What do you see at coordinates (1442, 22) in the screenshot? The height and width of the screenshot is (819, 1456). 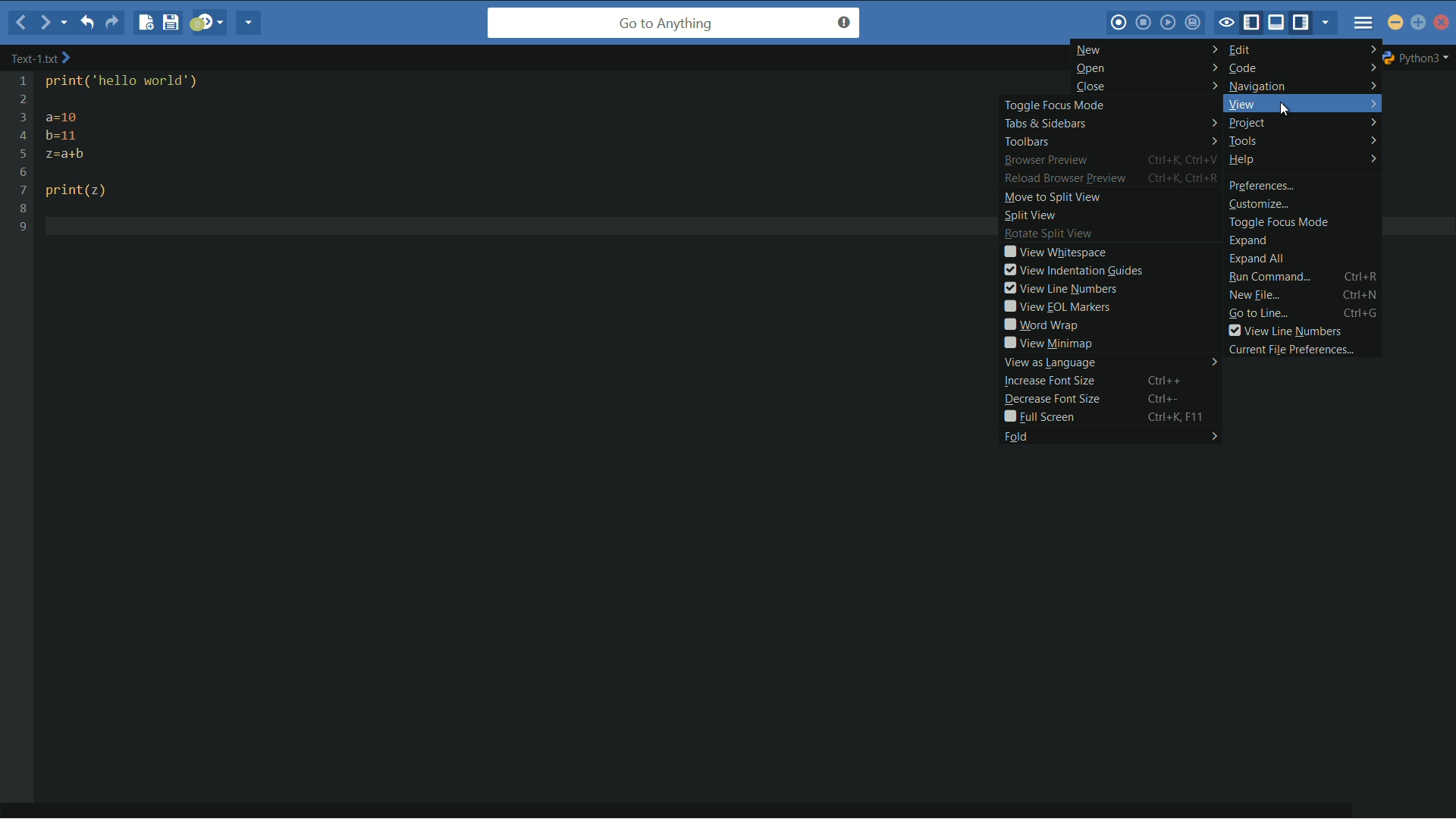 I see `close app` at bounding box center [1442, 22].